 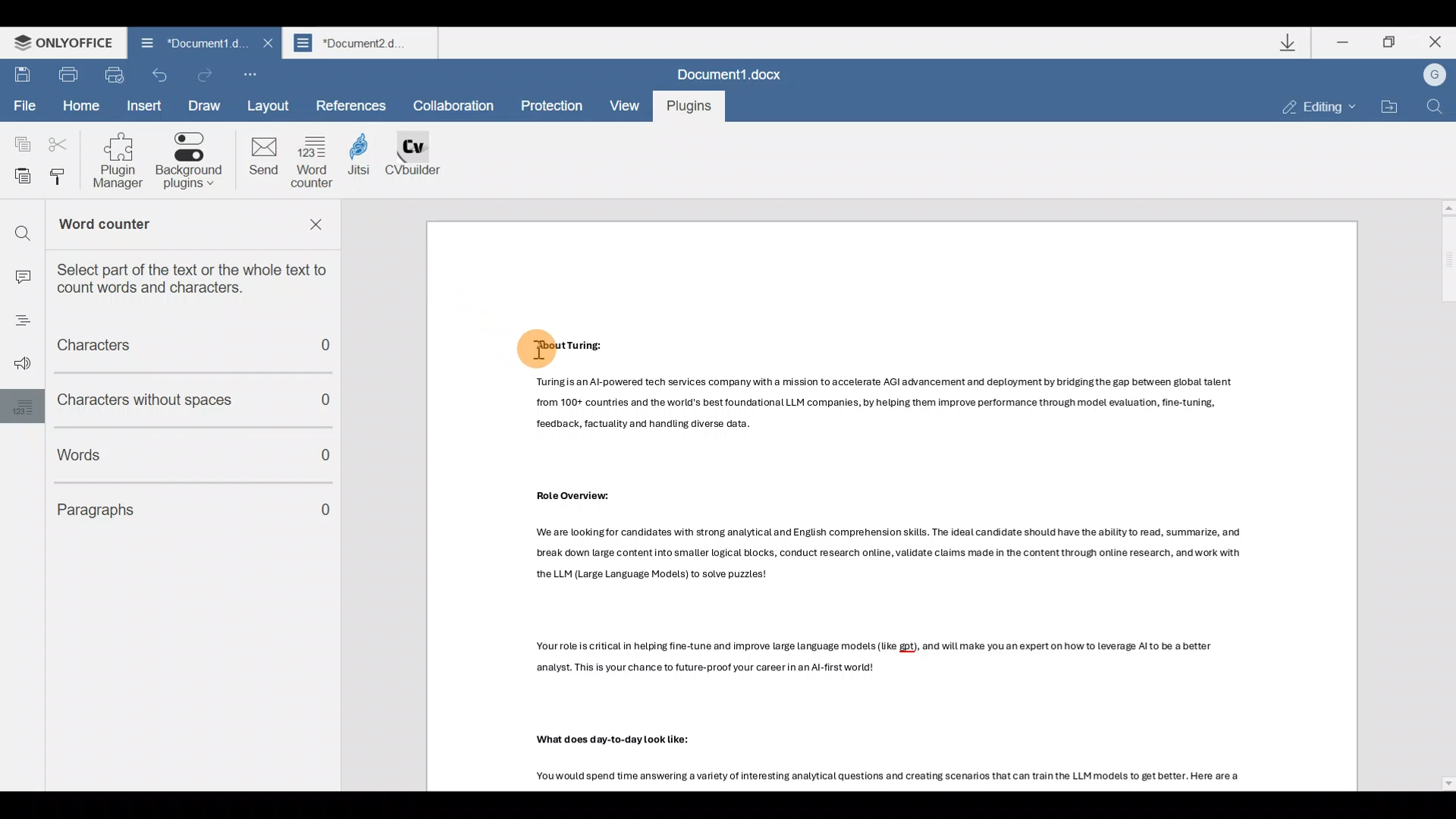 I want to click on 0, so click(x=335, y=400).